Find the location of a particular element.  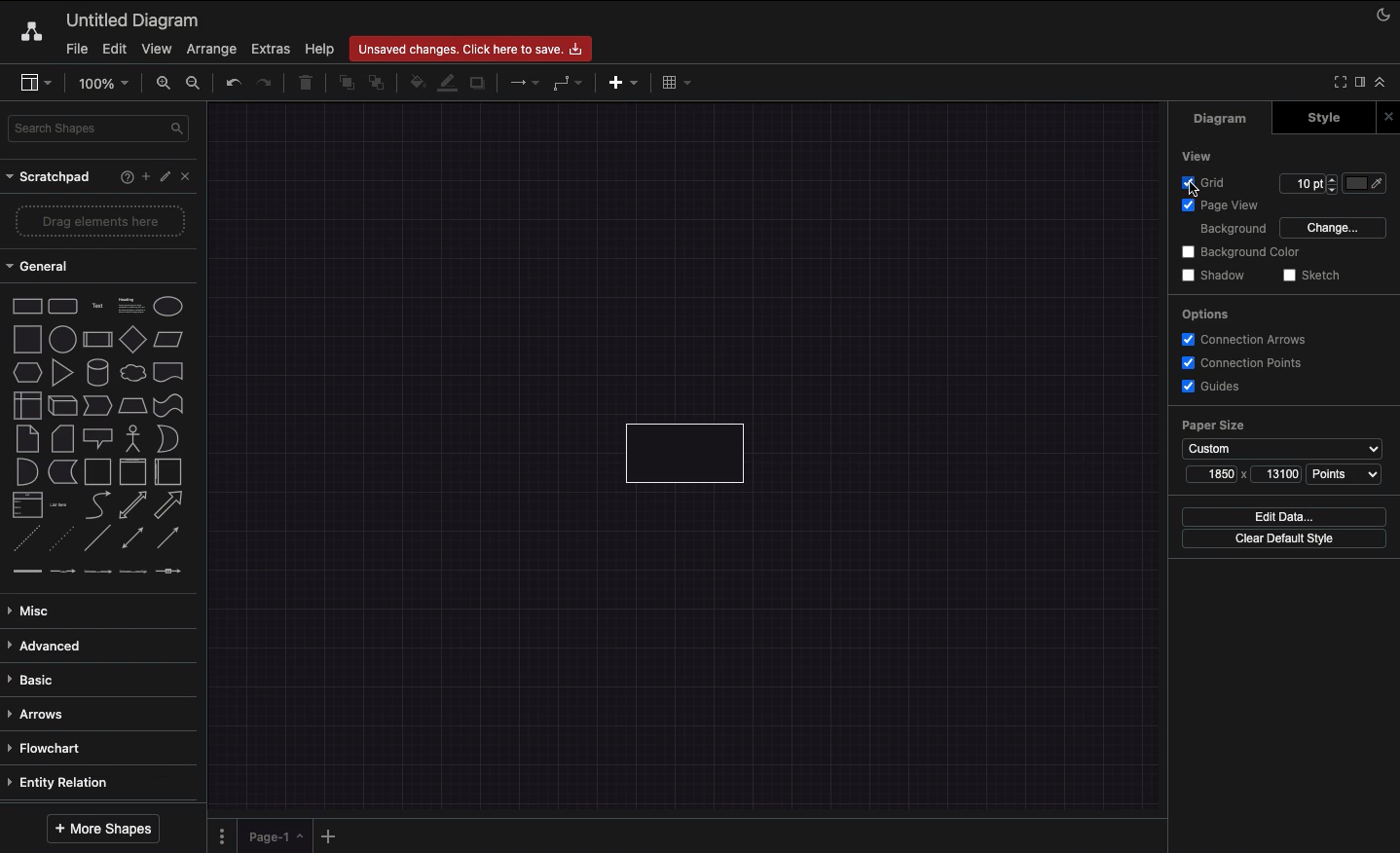

Guides is located at coordinates (1219, 389).